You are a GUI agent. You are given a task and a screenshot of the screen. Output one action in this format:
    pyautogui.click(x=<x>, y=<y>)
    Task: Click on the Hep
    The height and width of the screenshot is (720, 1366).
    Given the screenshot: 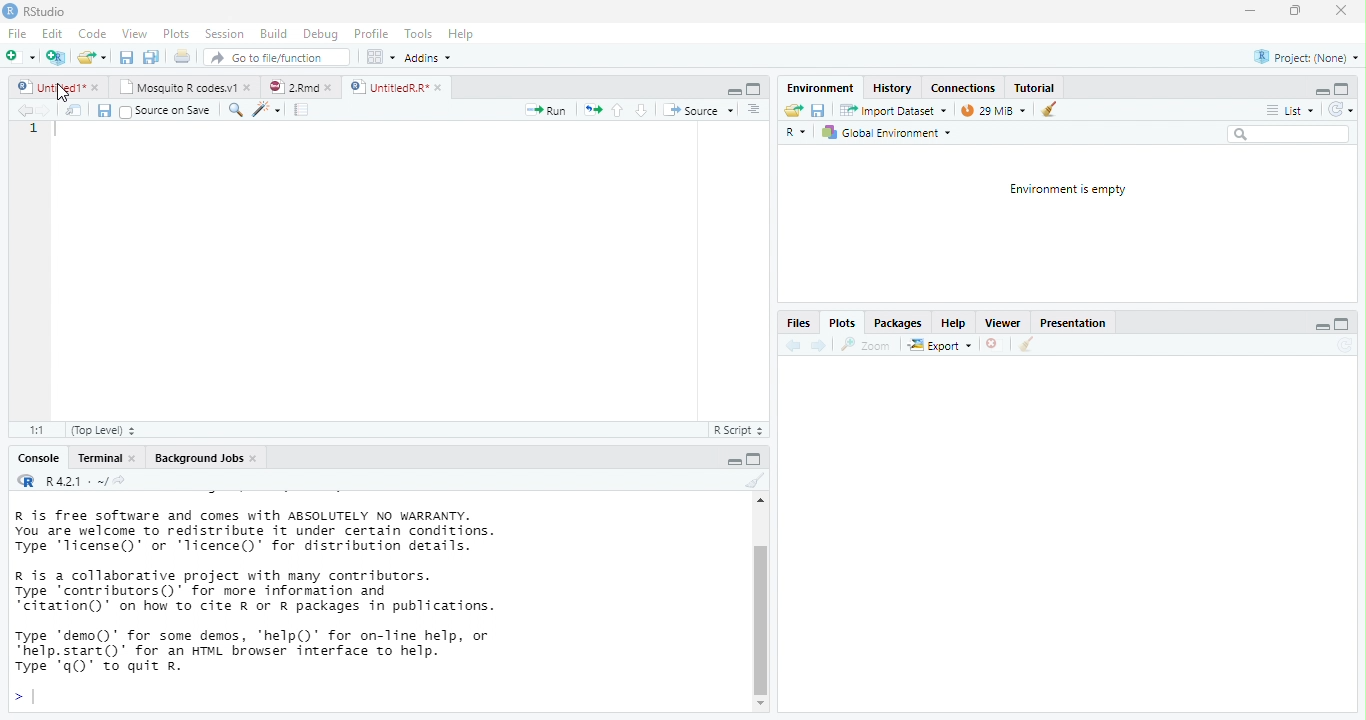 What is the action you would take?
    pyautogui.click(x=460, y=34)
    